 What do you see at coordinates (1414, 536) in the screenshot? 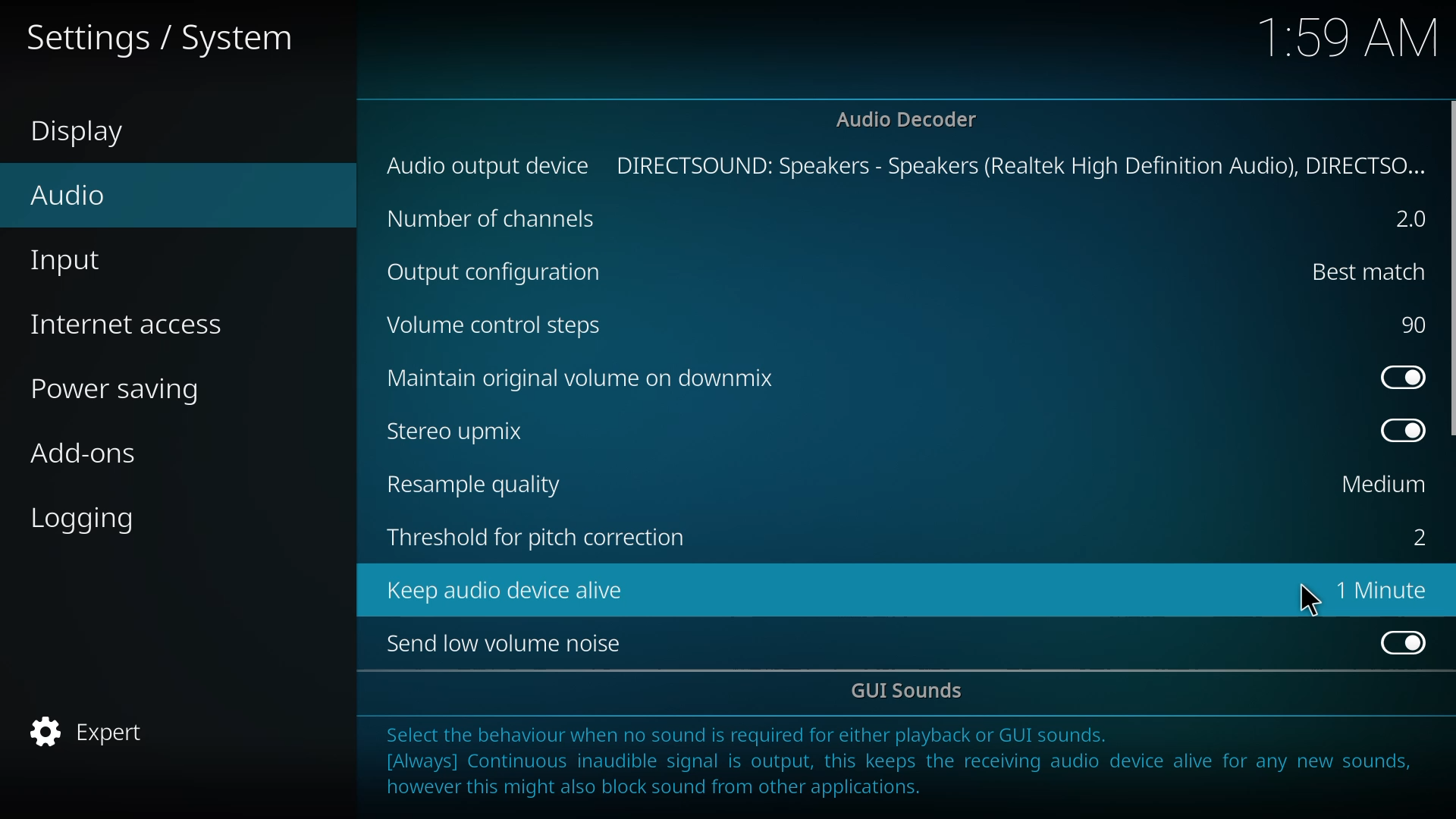
I see `2` at bounding box center [1414, 536].